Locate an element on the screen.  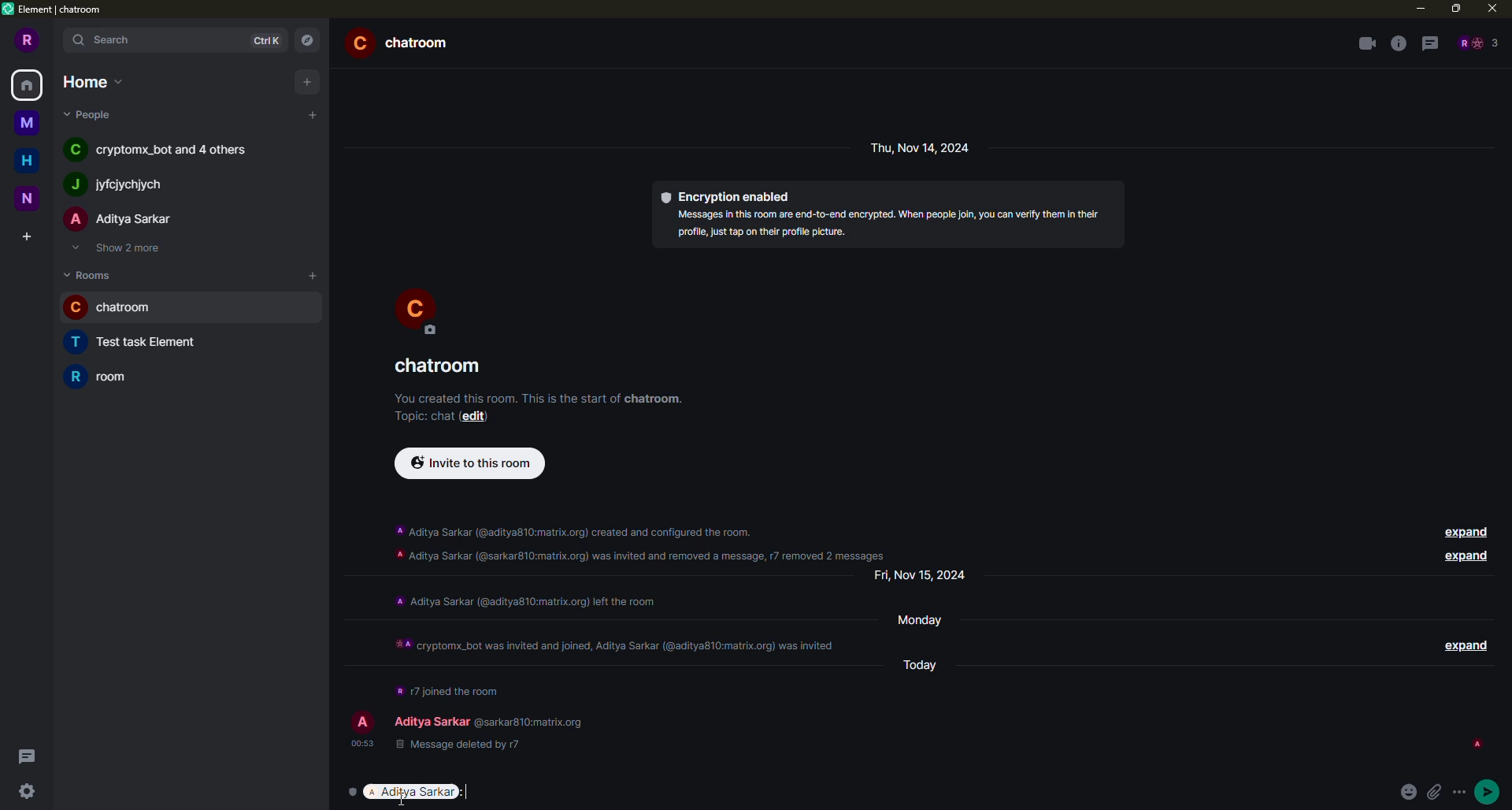
add is located at coordinates (314, 114).